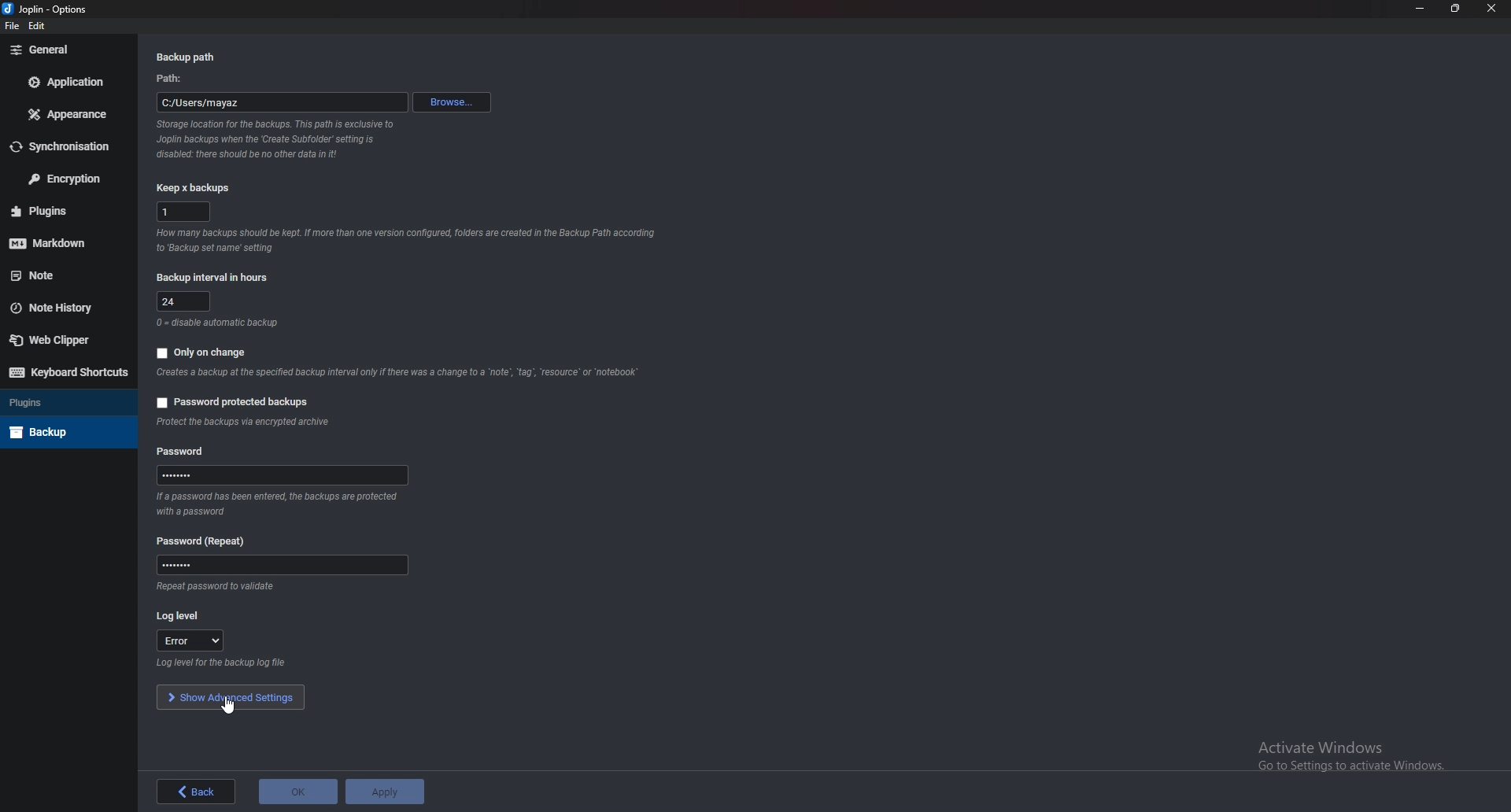 This screenshot has width=1511, height=812. Describe the element at coordinates (67, 241) in the screenshot. I see `Markdown` at that location.